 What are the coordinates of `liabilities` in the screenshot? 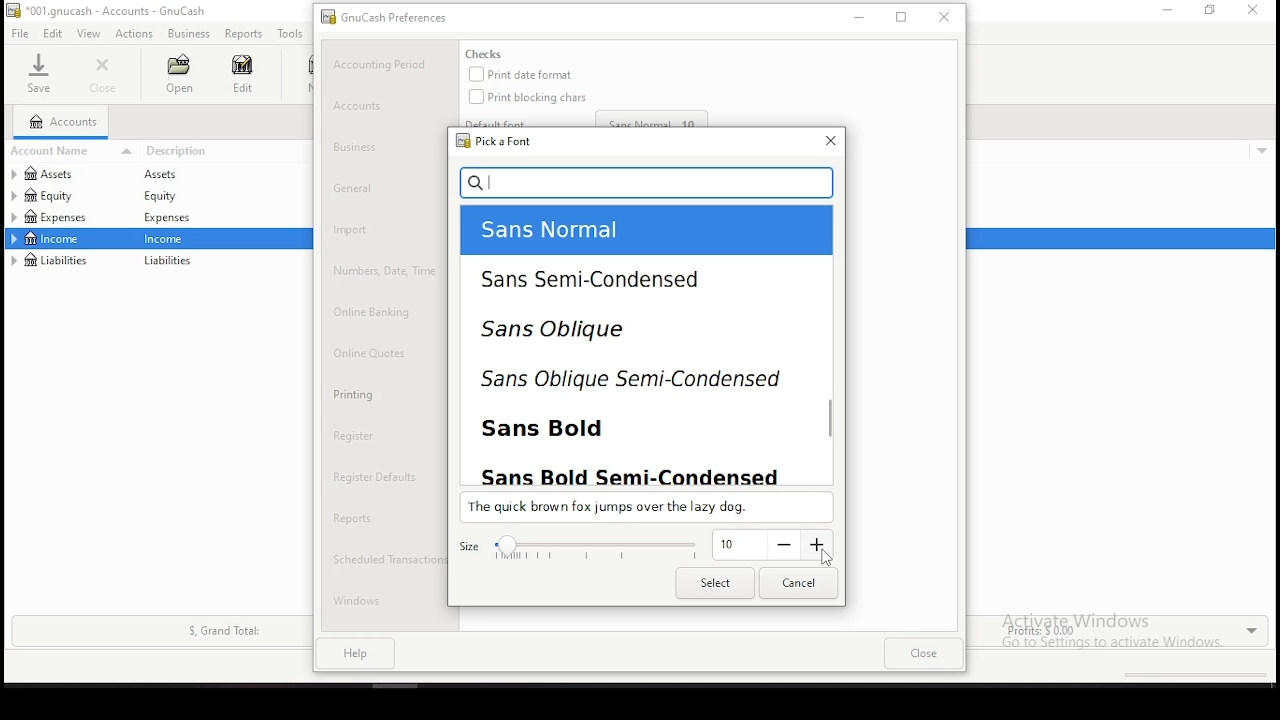 It's located at (168, 262).